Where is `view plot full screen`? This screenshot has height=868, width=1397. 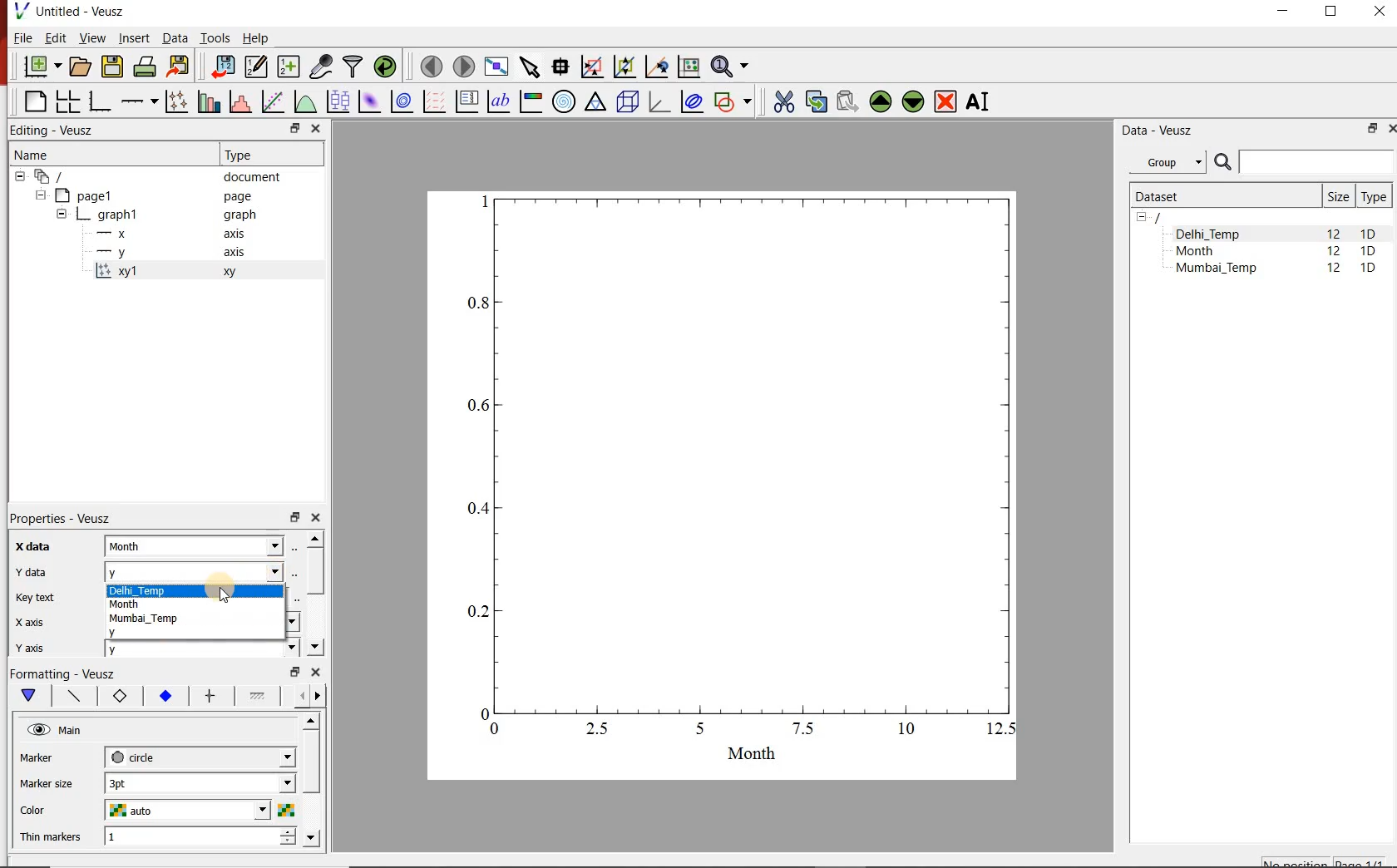 view plot full screen is located at coordinates (496, 67).